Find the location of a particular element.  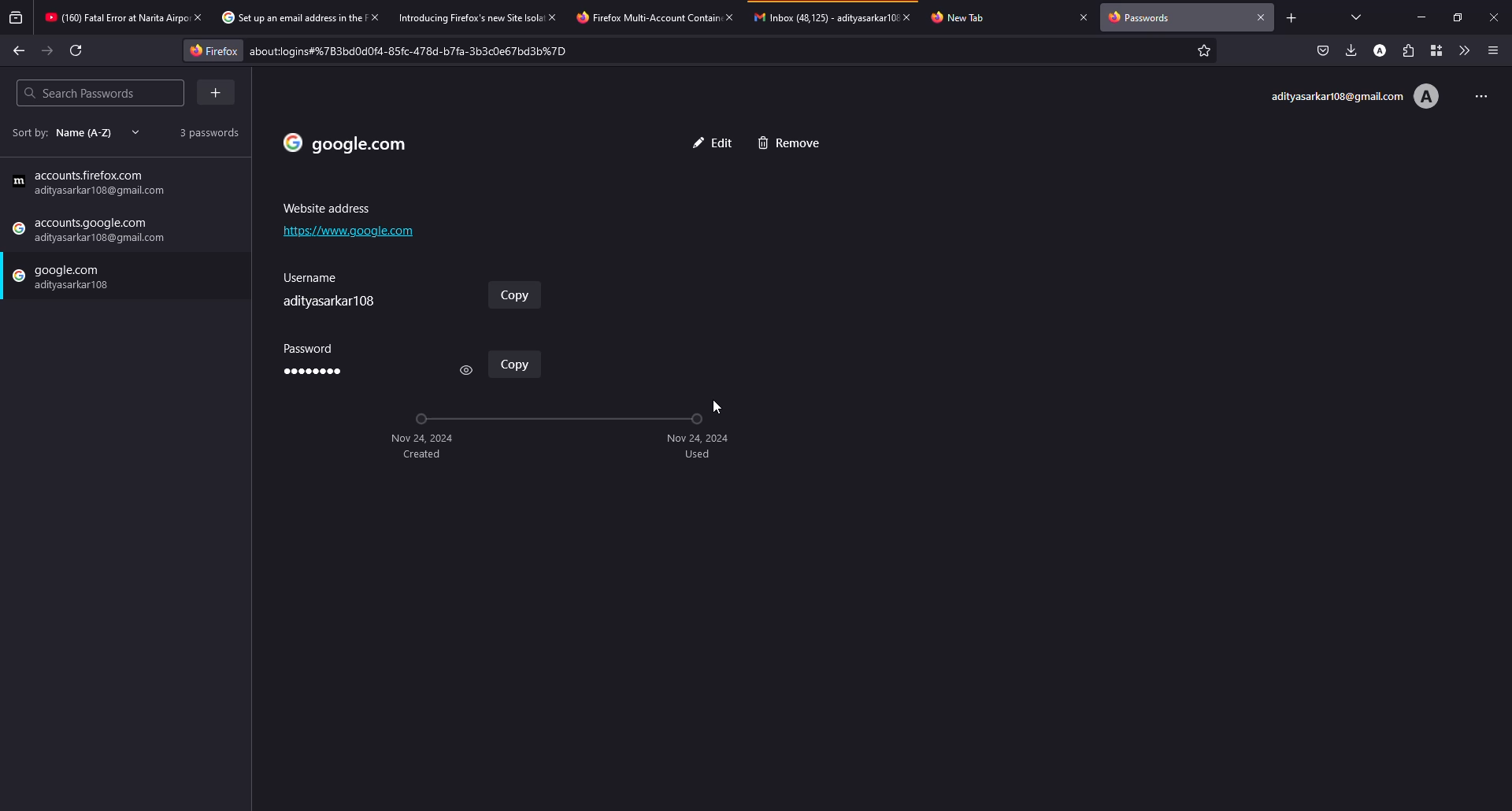

address is located at coordinates (328, 209).